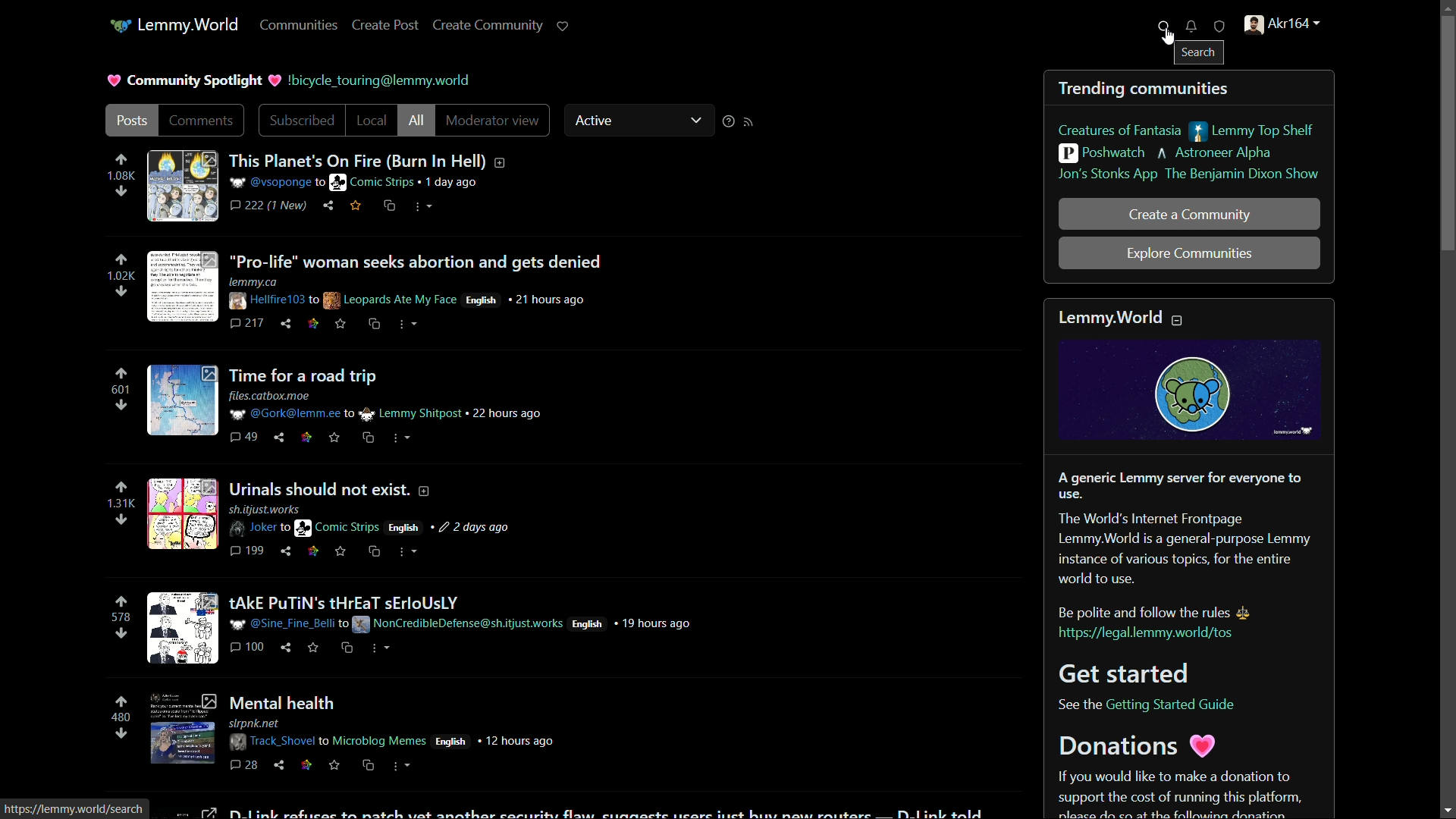 This screenshot has width=1456, height=819. I want to click on subscribed, so click(302, 121).